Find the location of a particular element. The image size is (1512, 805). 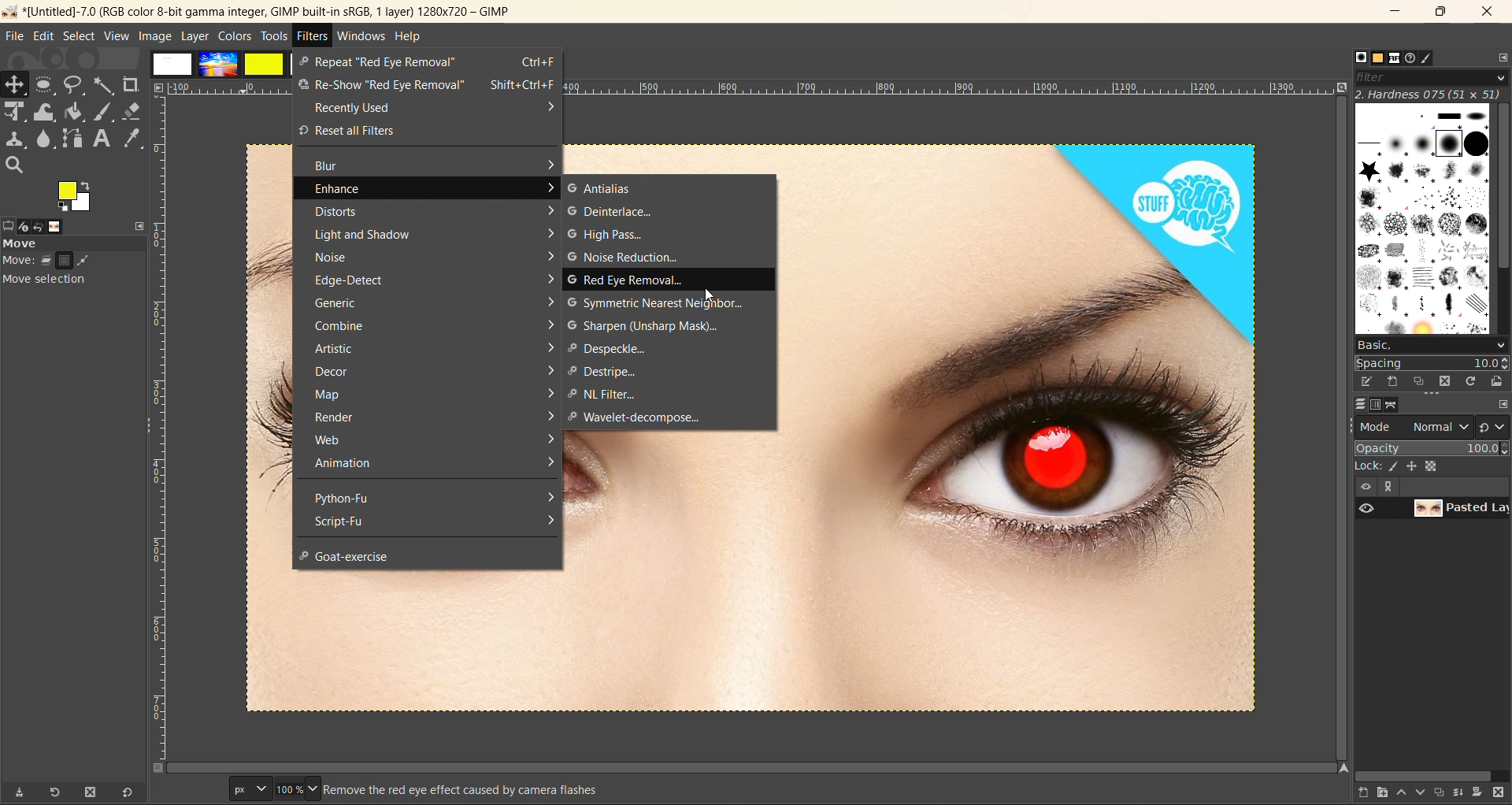

script fu is located at coordinates (431, 524).